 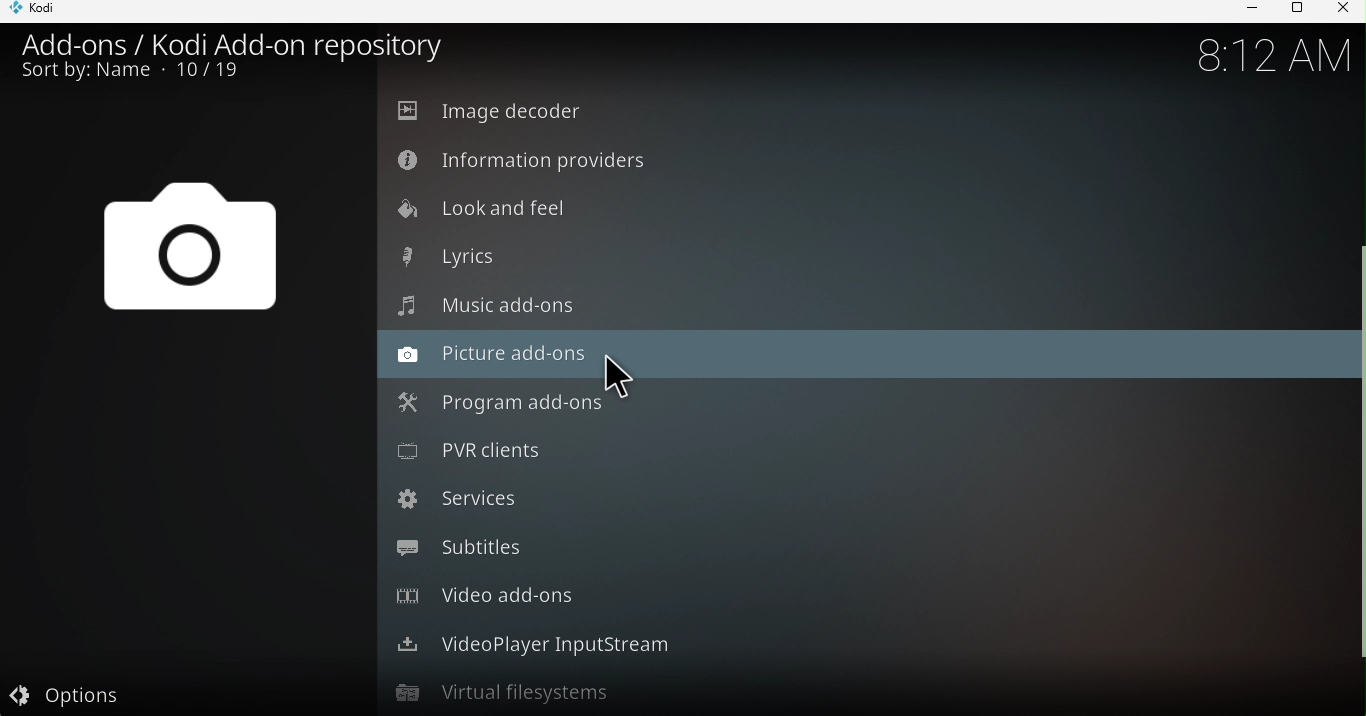 What do you see at coordinates (1342, 11) in the screenshot?
I see `Close` at bounding box center [1342, 11].